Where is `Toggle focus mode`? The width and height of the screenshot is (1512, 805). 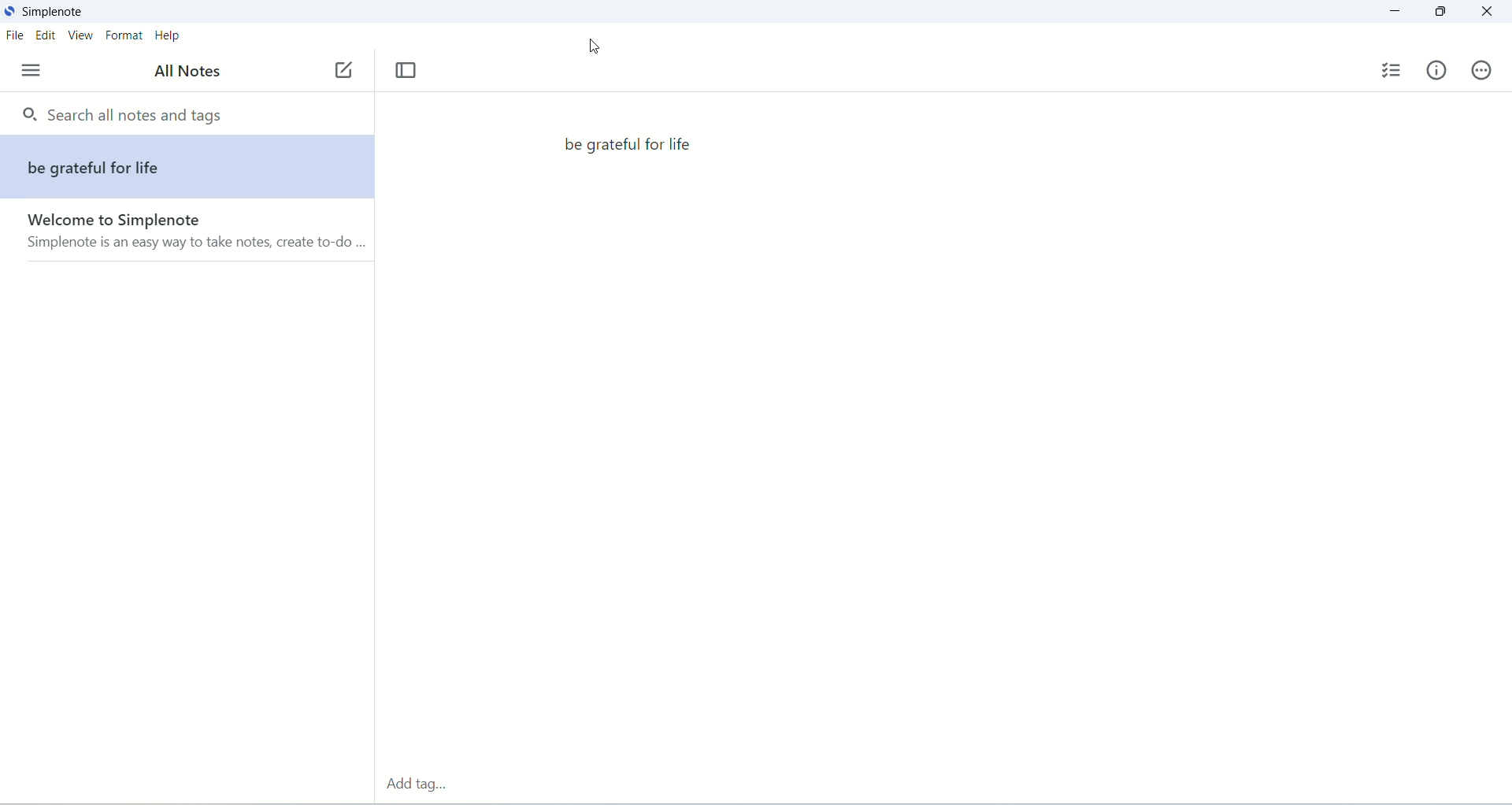
Toggle focus mode is located at coordinates (406, 71).